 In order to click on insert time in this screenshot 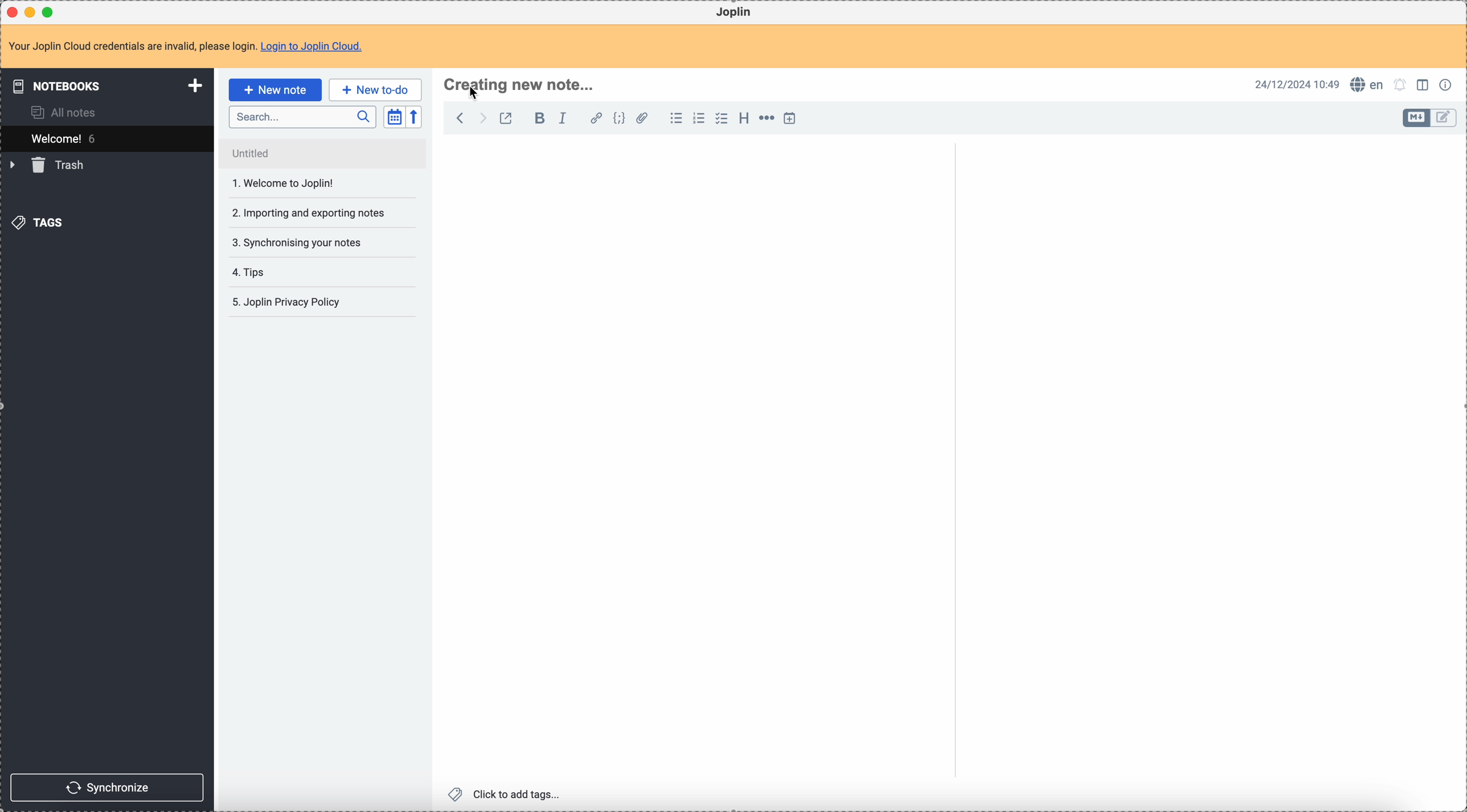, I will do `click(793, 118)`.